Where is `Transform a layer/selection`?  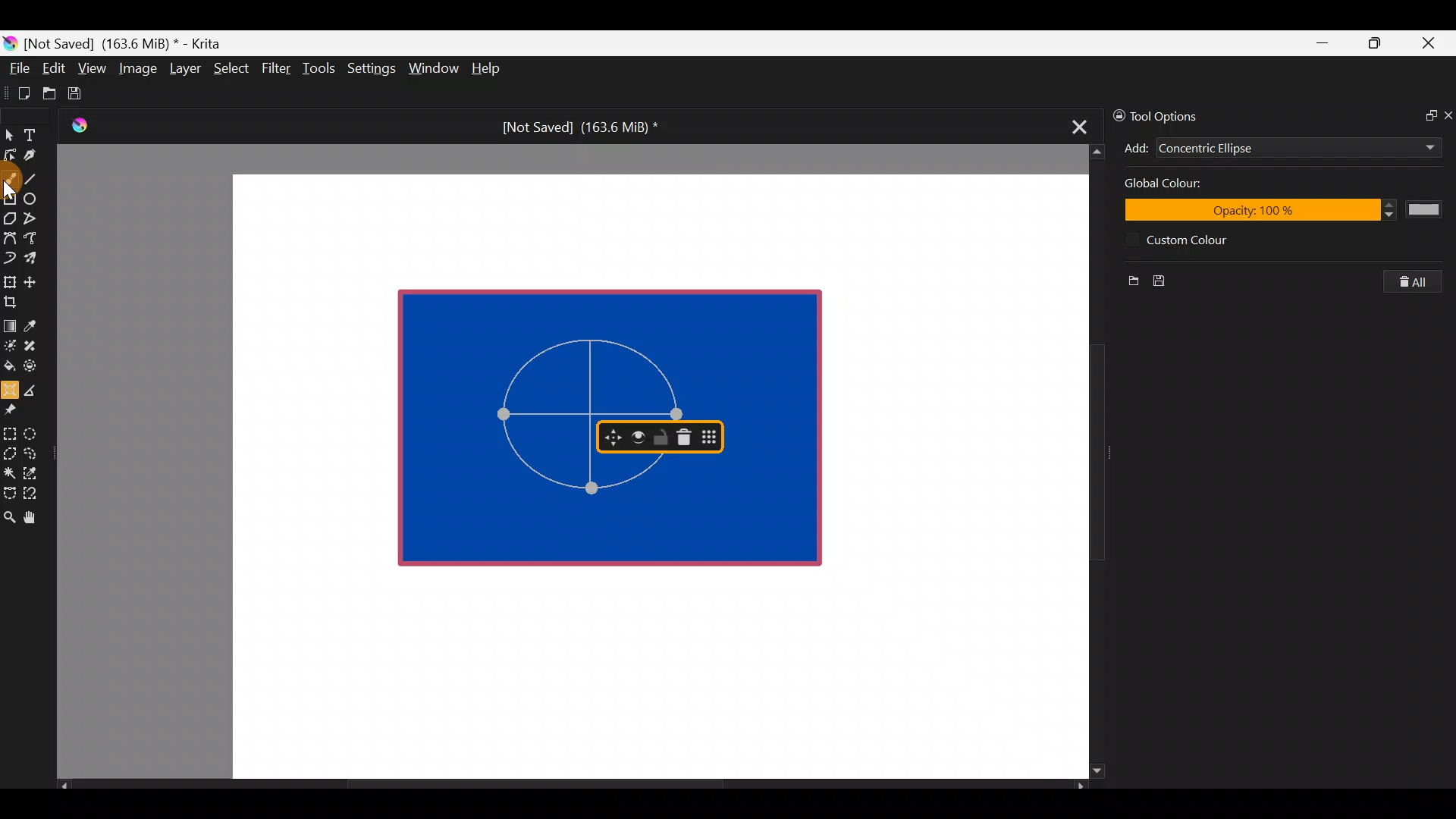
Transform a layer/selection is located at coordinates (9, 279).